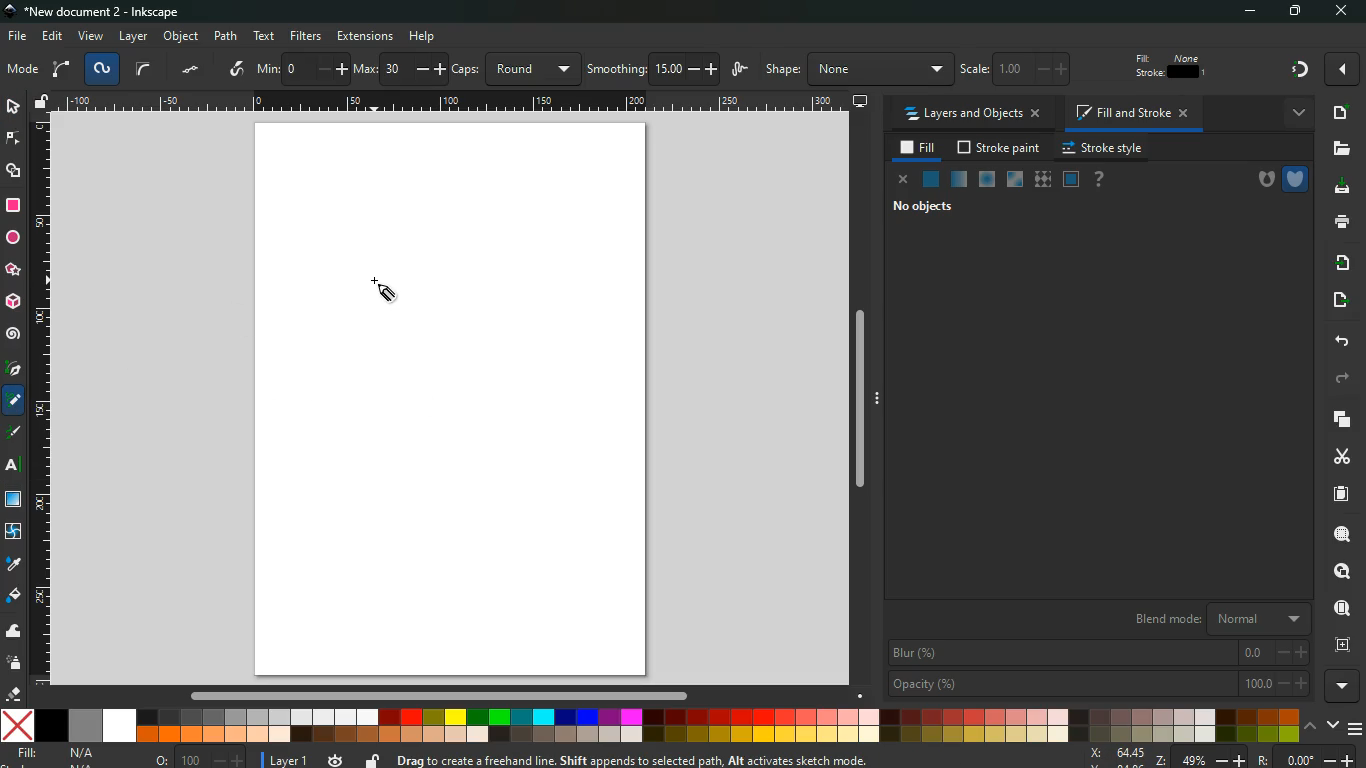 The width and height of the screenshot is (1366, 768). What do you see at coordinates (1001, 147) in the screenshot?
I see `stroke paint` at bounding box center [1001, 147].